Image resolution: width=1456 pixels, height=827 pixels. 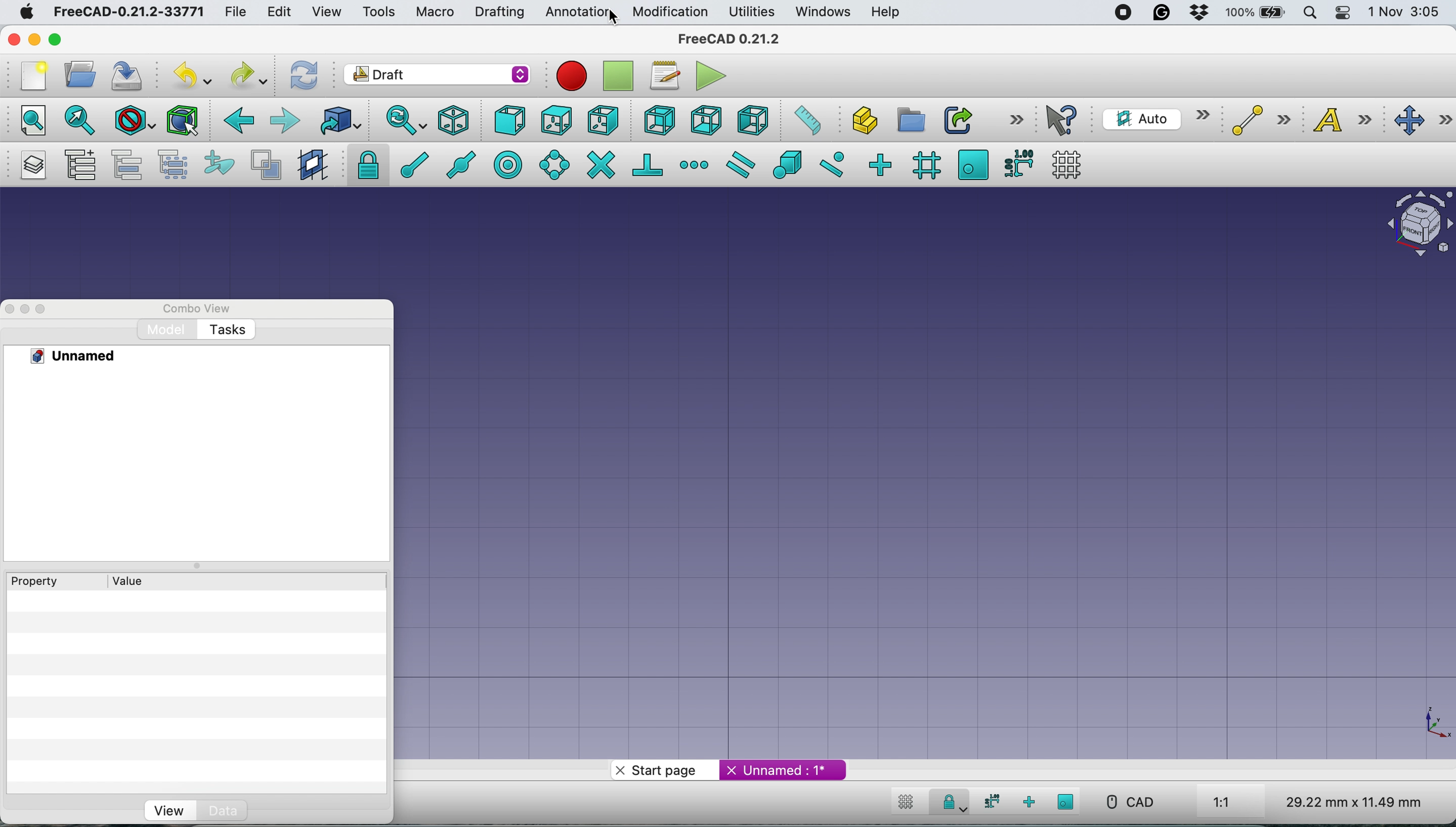 What do you see at coordinates (1254, 12) in the screenshot?
I see `battery` at bounding box center [1254, 12].